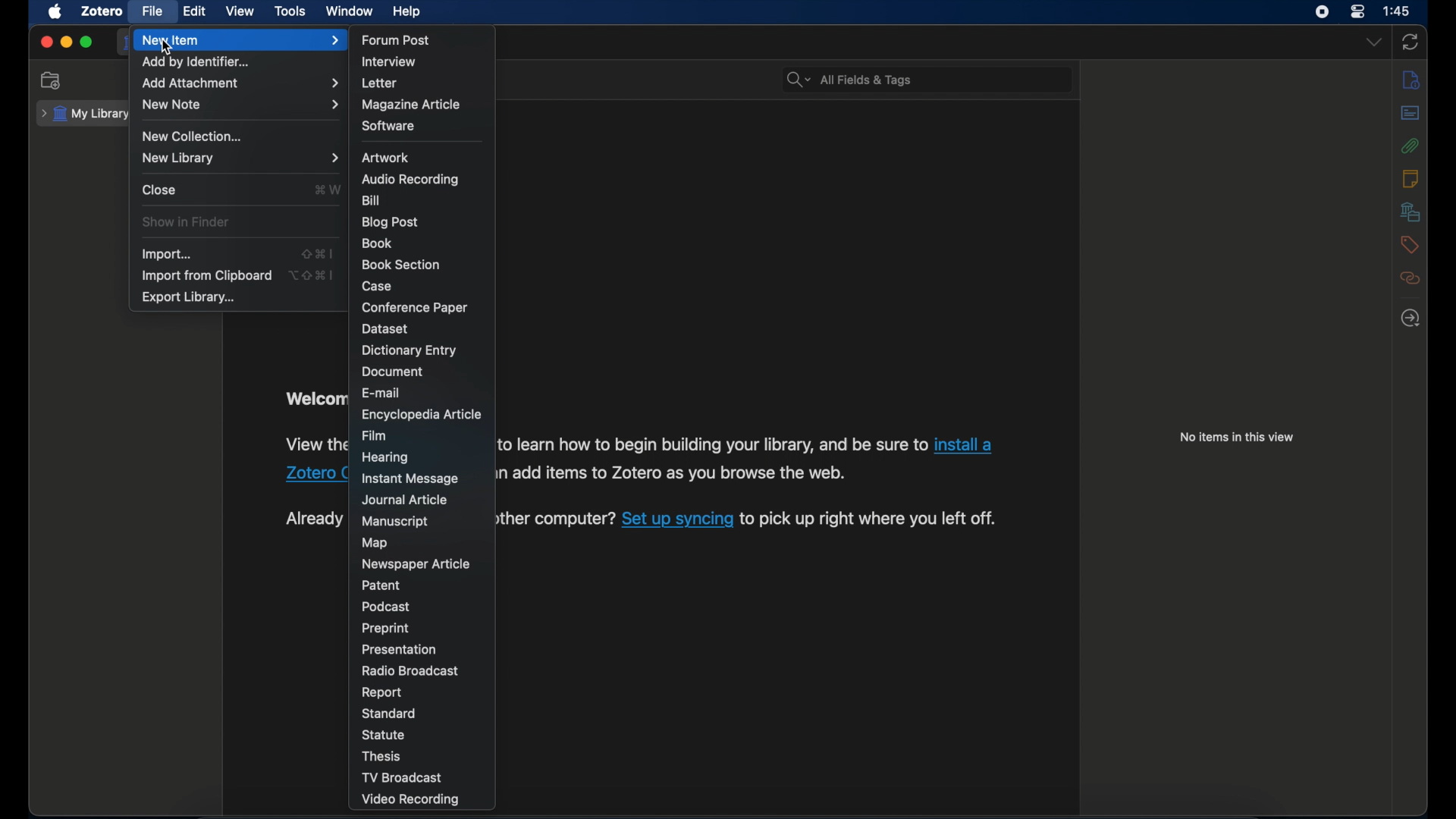 This screenshot has width=1456, height=819. What do you see at coordinates (409, 670) in the screenshot?
I see `radio broadcast` at bounding box center [409, 670].